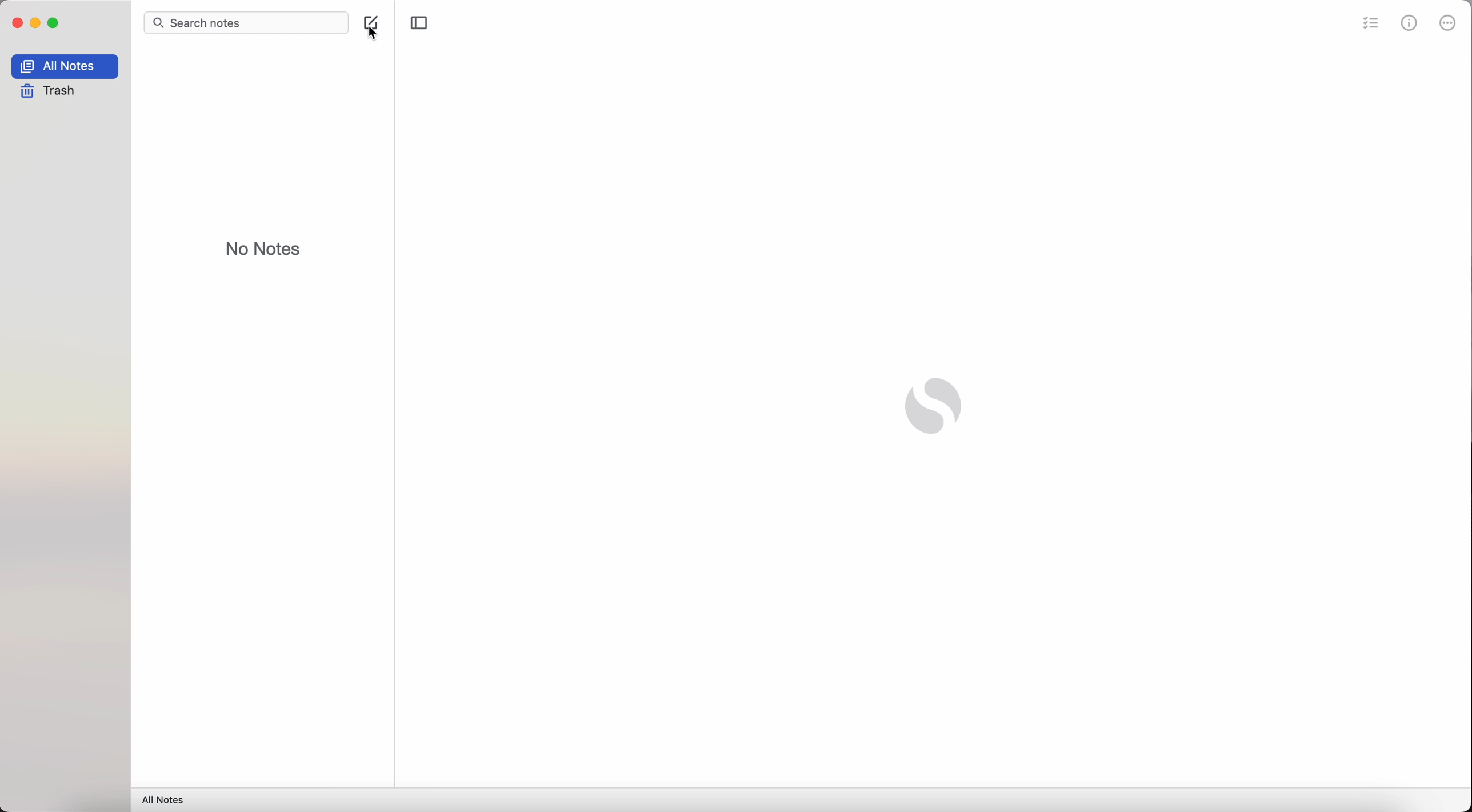 This screenshot has width=1472, height=812. I want to click on minimize, so click(36, 24).